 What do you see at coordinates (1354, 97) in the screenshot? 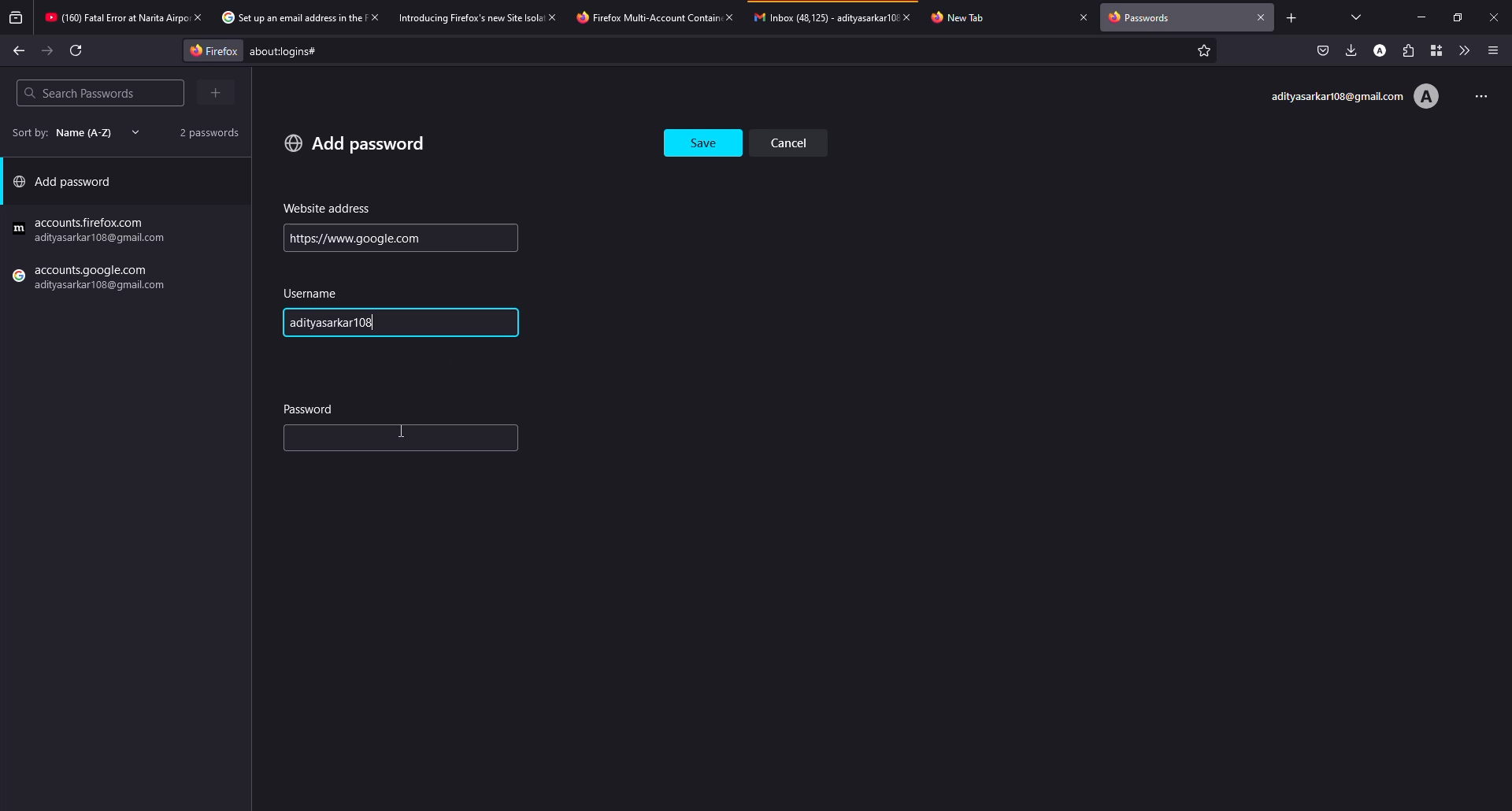
I see `account` at bounding box center [1354, 97].